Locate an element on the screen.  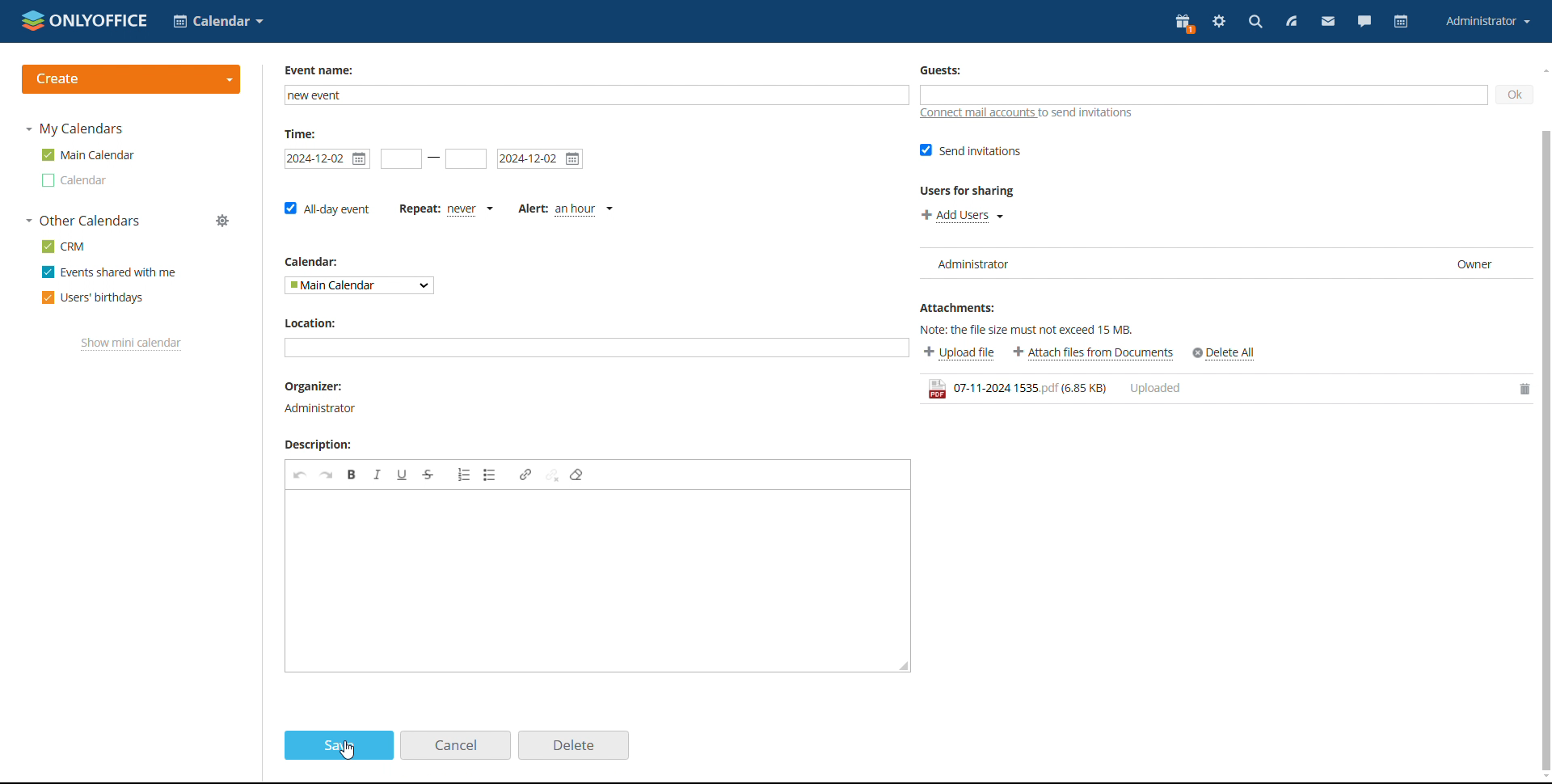
users' birthdays is located at coordinates (91, 298).